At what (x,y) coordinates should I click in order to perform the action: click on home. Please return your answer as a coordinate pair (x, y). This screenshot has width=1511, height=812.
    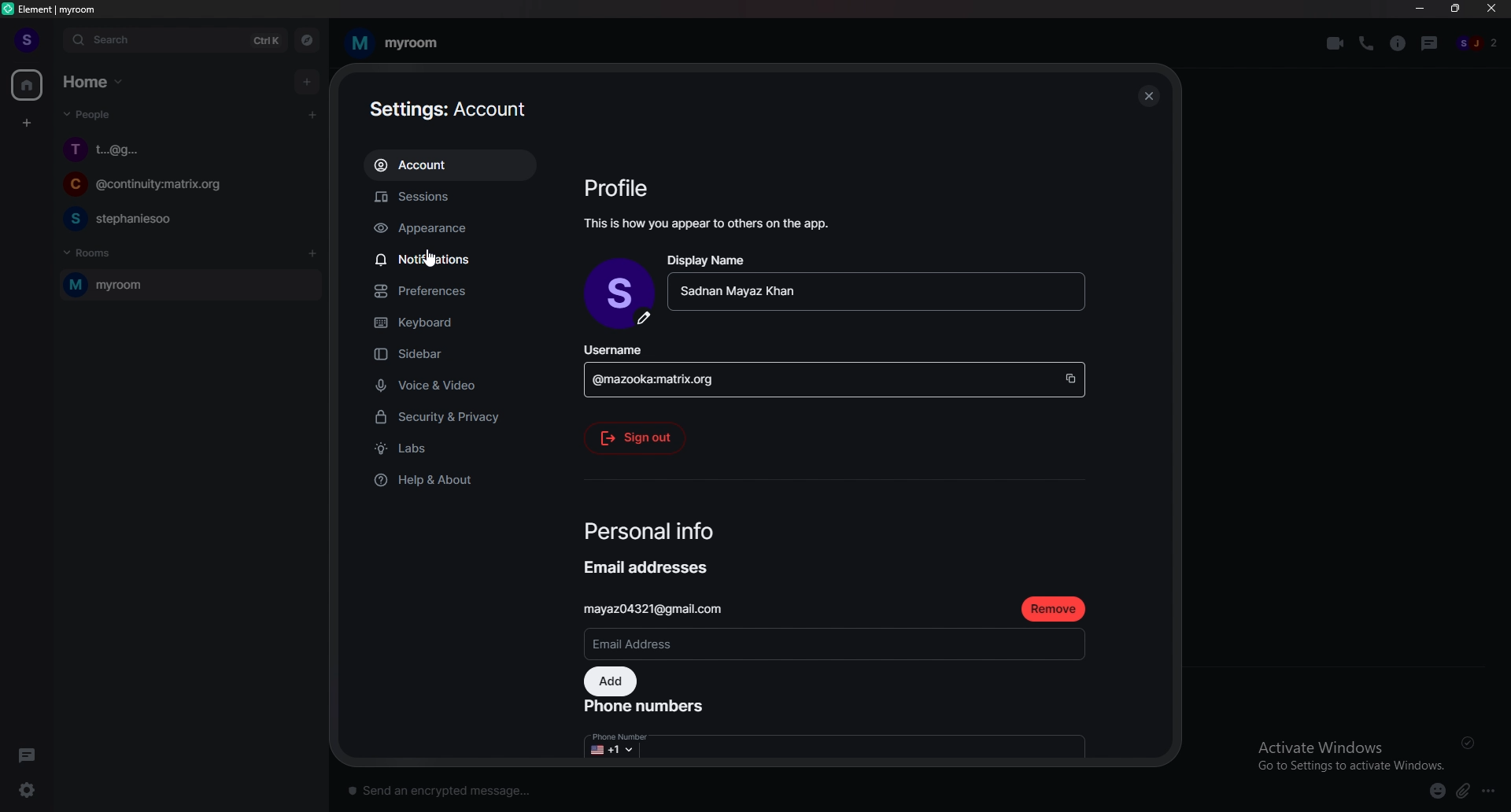
    Looking at the image, I should click on (95, 82).